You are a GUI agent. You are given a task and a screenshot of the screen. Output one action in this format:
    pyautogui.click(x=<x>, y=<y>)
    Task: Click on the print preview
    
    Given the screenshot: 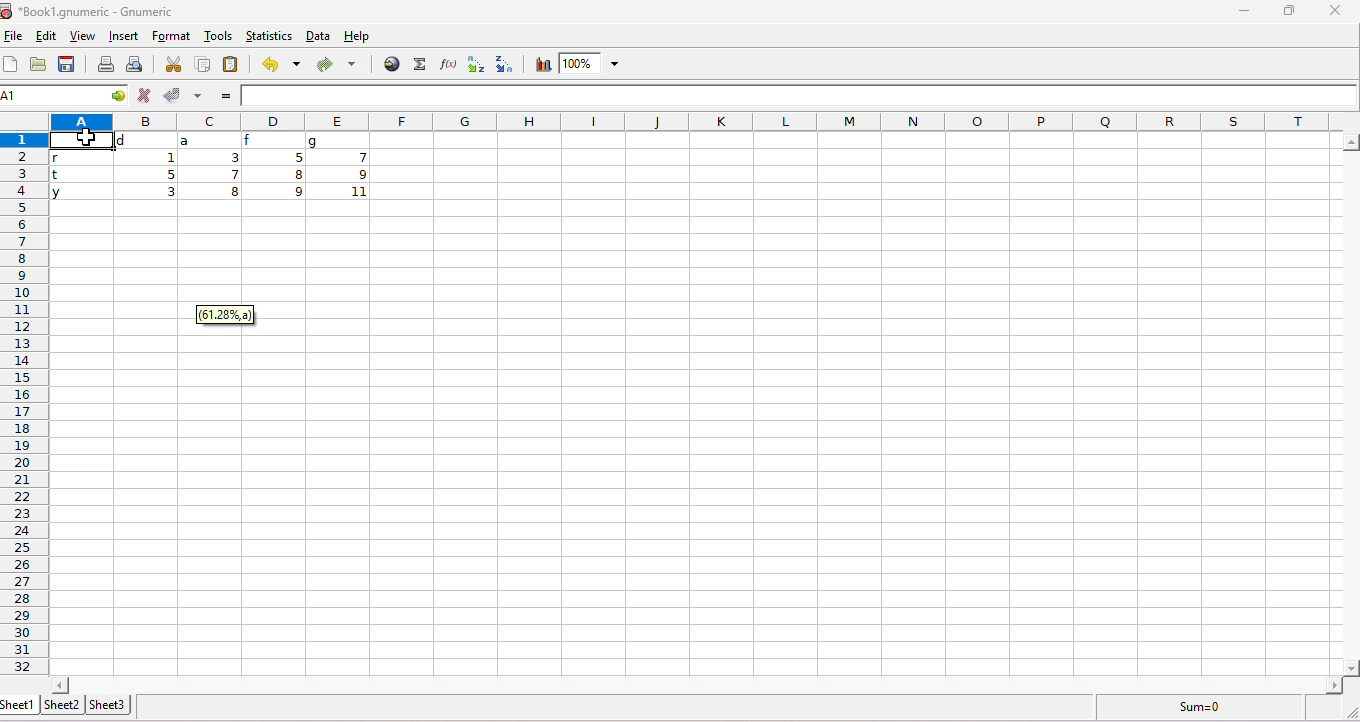 What is the action you would take?
    pyautogui.click(x=133, y=65)
    